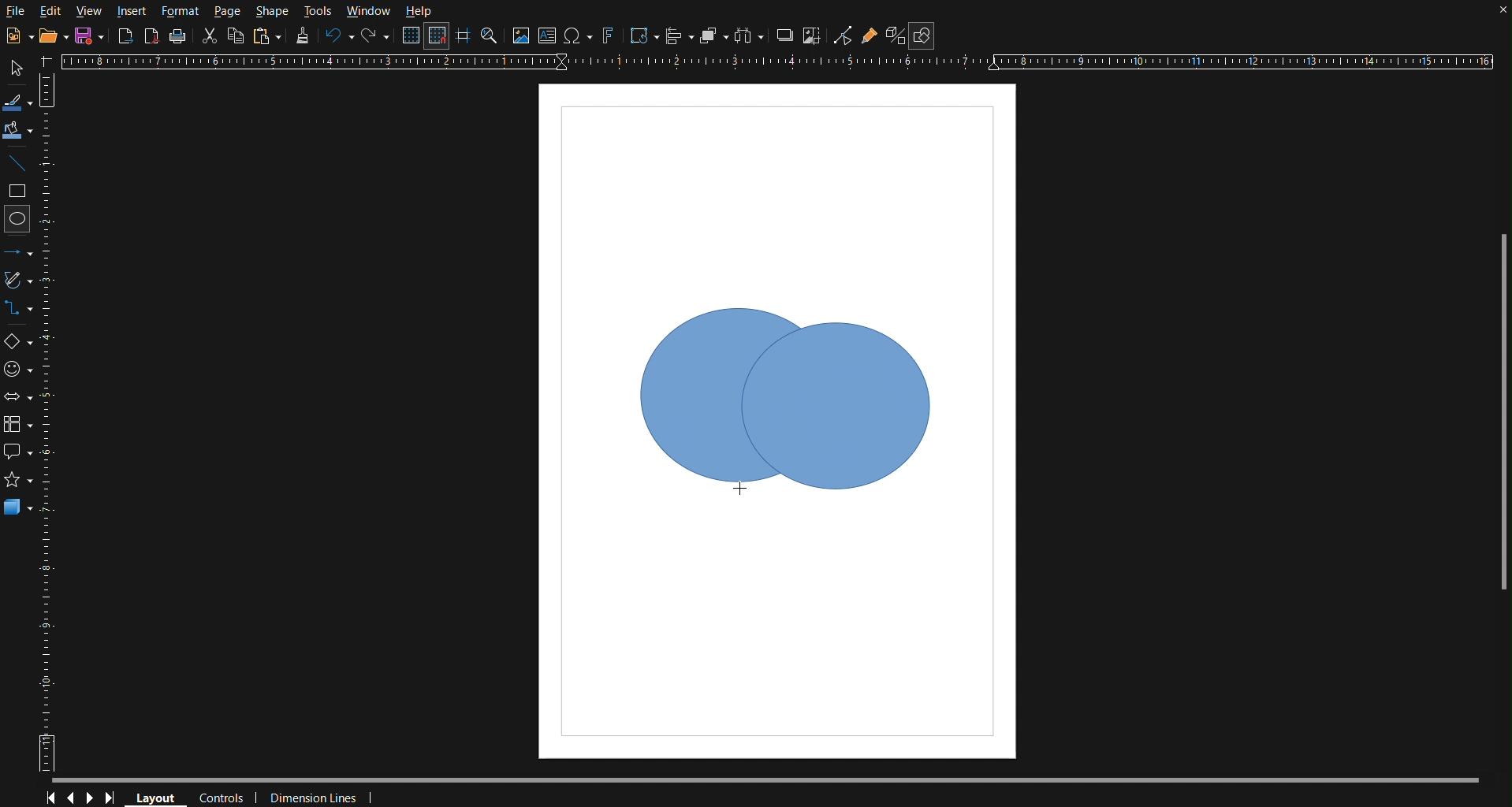 This screenshot has height=807, width=1512. I want to click on Select, so click(19, 67).